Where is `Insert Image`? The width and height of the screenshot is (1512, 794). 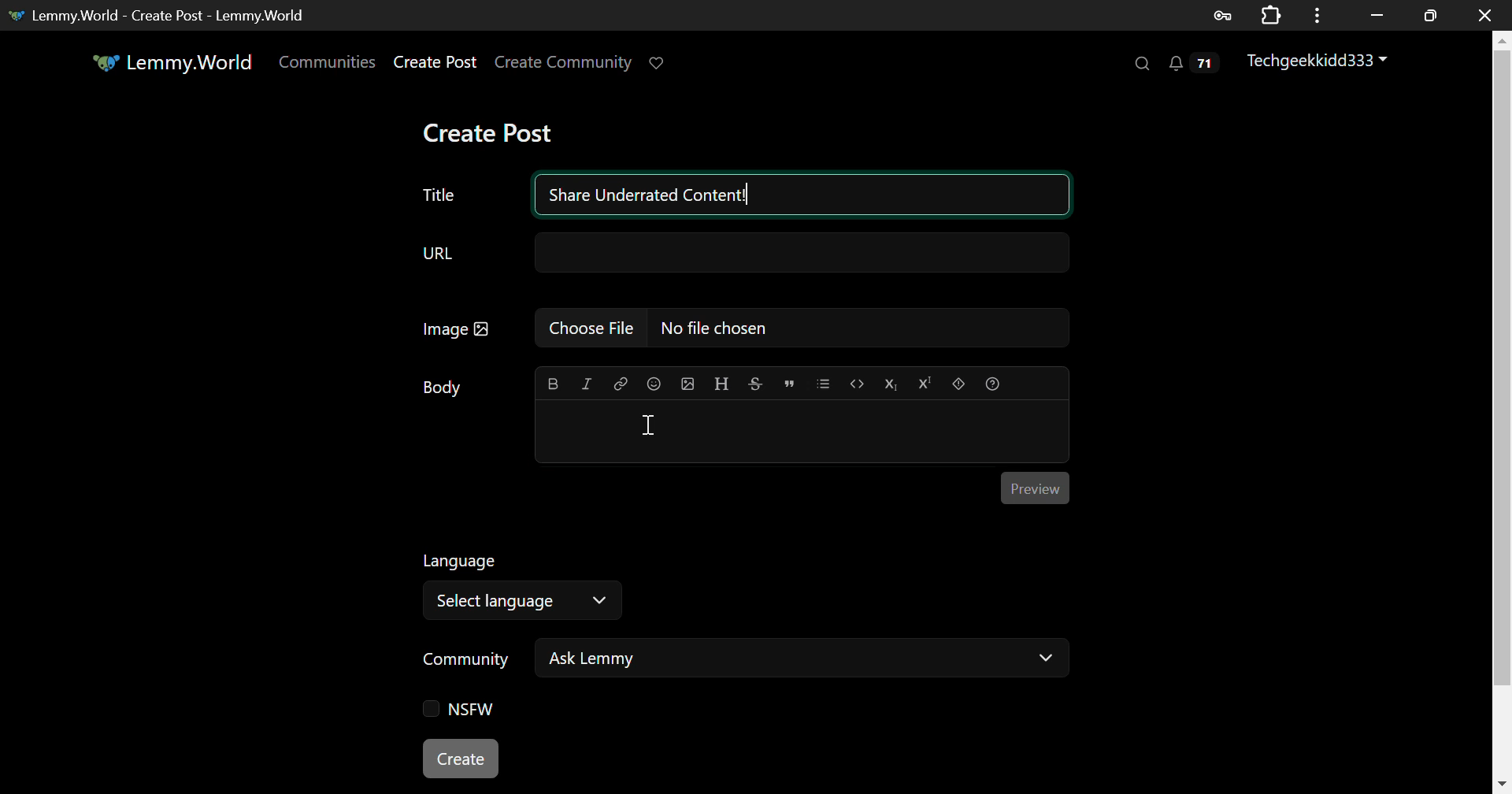
Insert Image is located at coordinates (687, 384).